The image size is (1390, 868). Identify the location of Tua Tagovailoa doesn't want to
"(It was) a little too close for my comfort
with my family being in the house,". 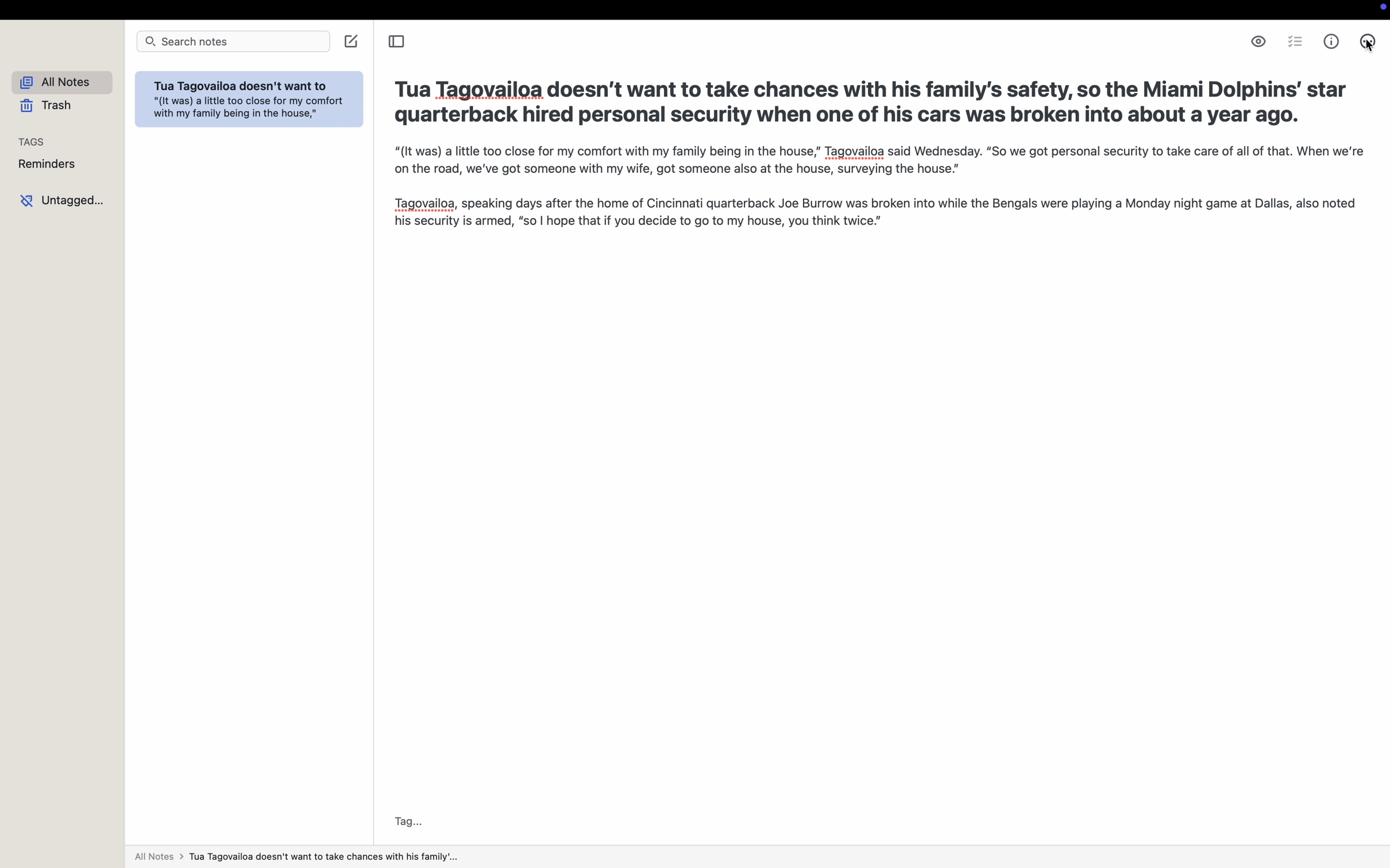
(248, 102).